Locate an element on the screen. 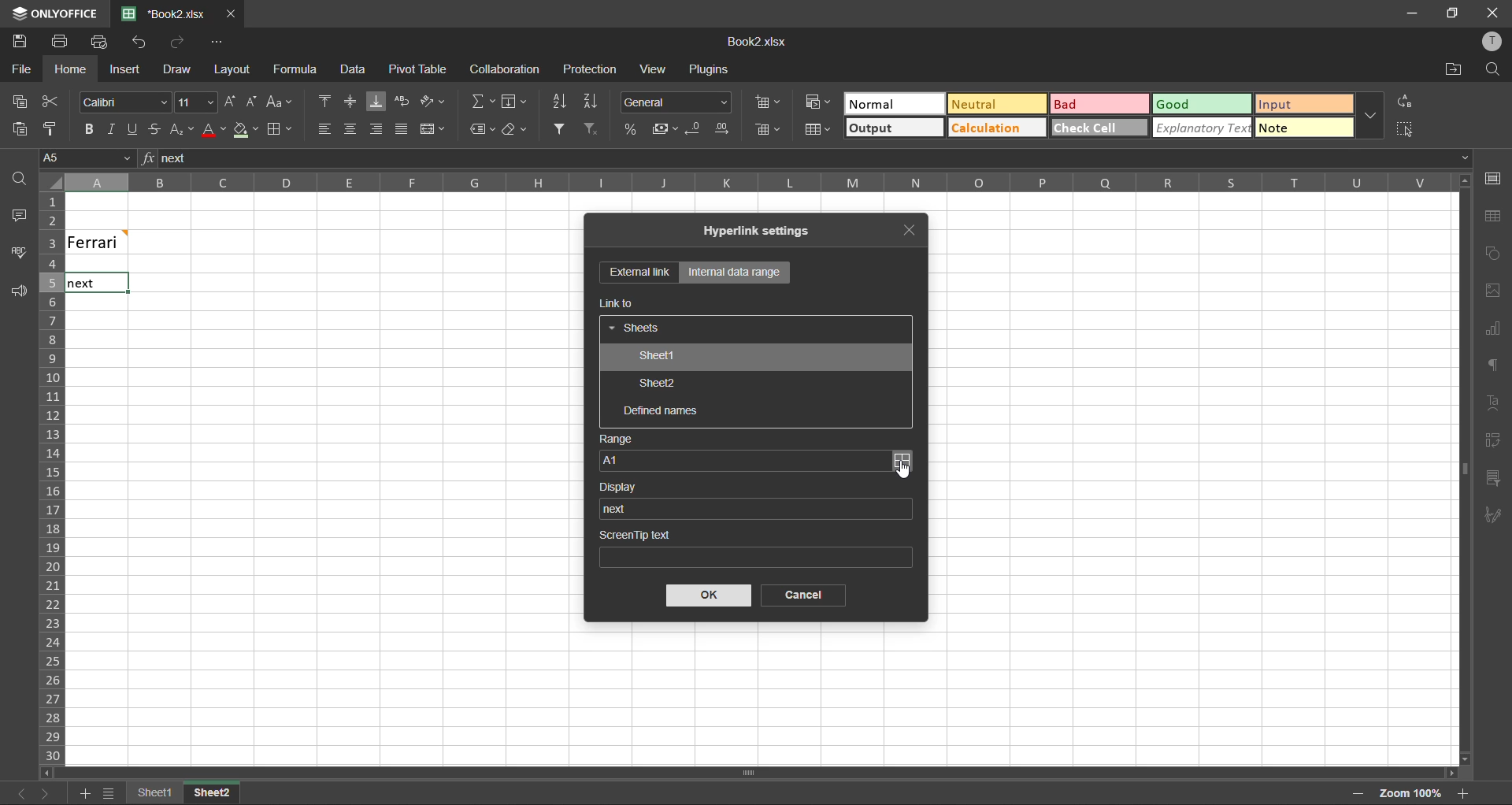 This screenshot has height=805, width=1512. select all is located at coordinates (1406, 129).